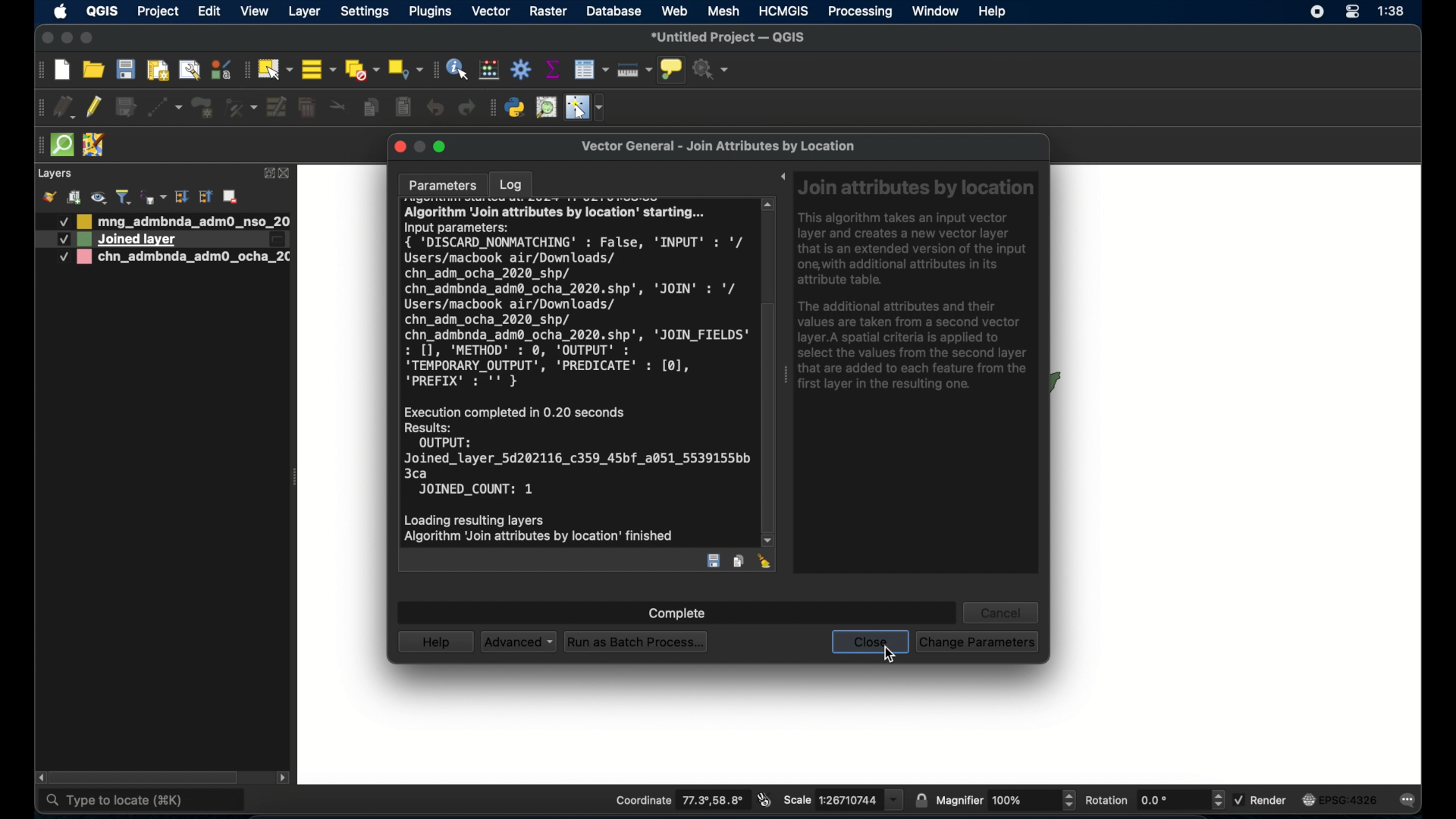  I want to click on layer 1, so click(186, 221).